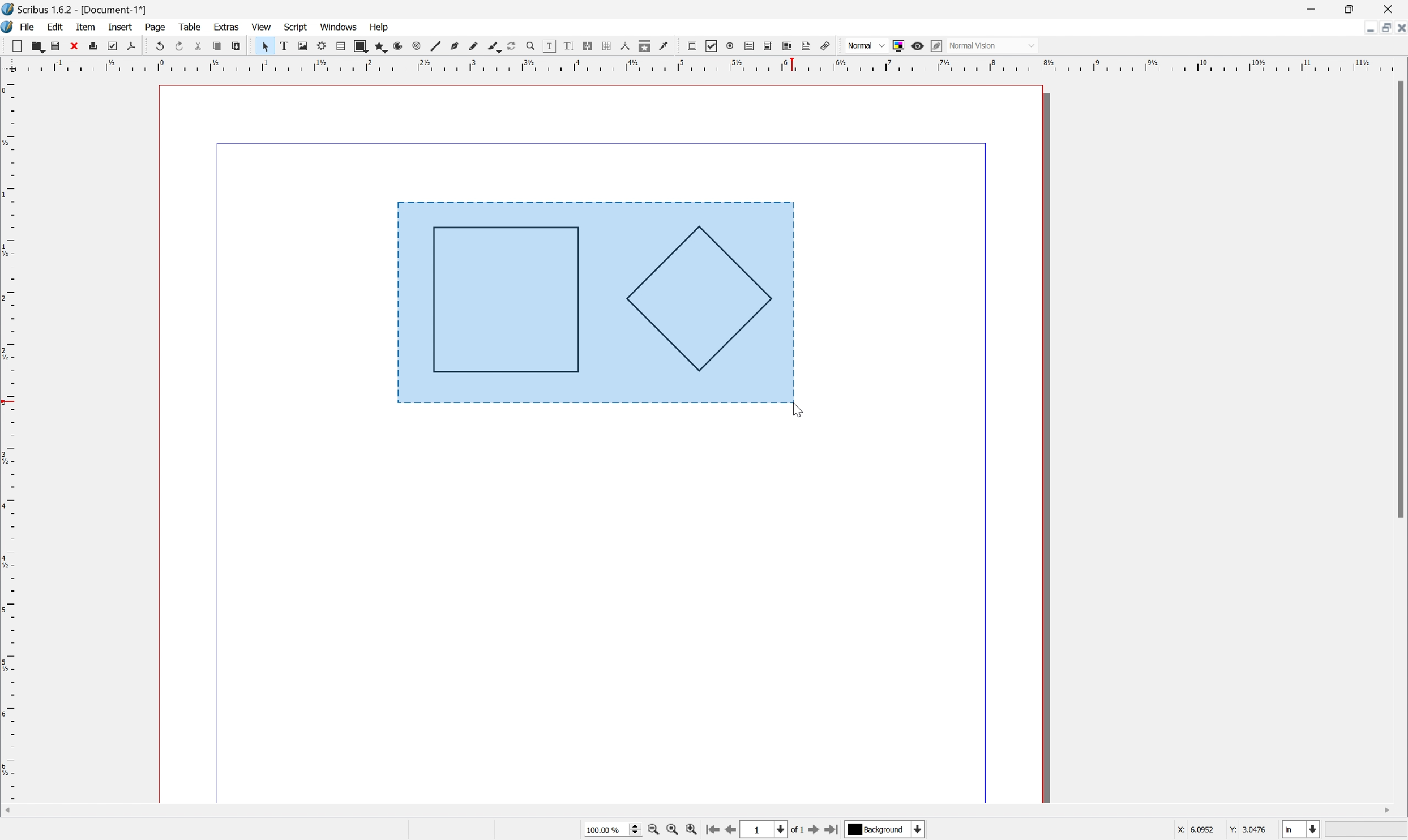 The width and height of the screenshot is (1408, 840). I want to click on file, so click(29, 26).